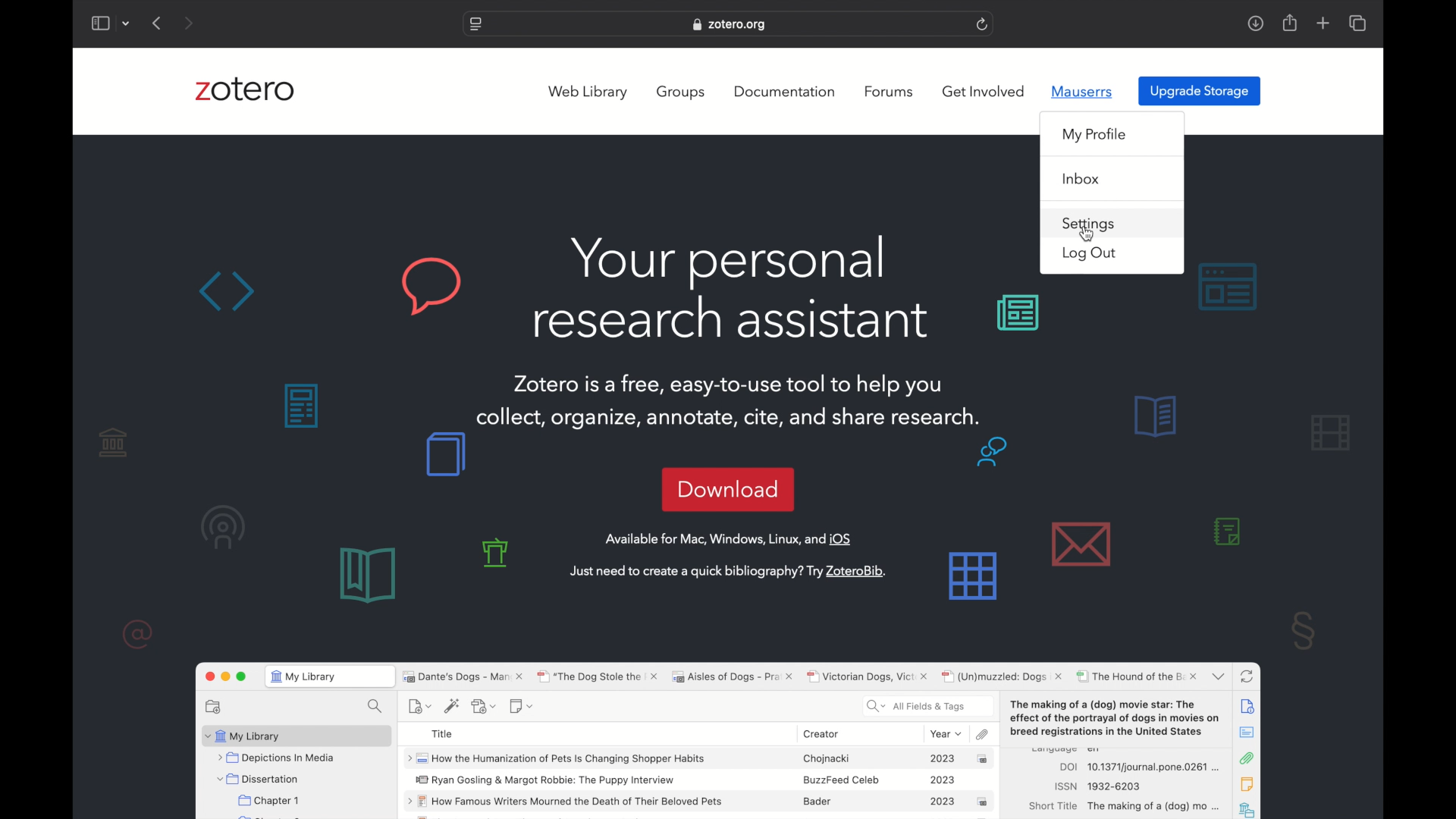 The height and width of the screenshot is (819, 1456). What do you see at coordinates (475, 24) in the screenshot?
I see `website settings` at bounding box center [475, 24].